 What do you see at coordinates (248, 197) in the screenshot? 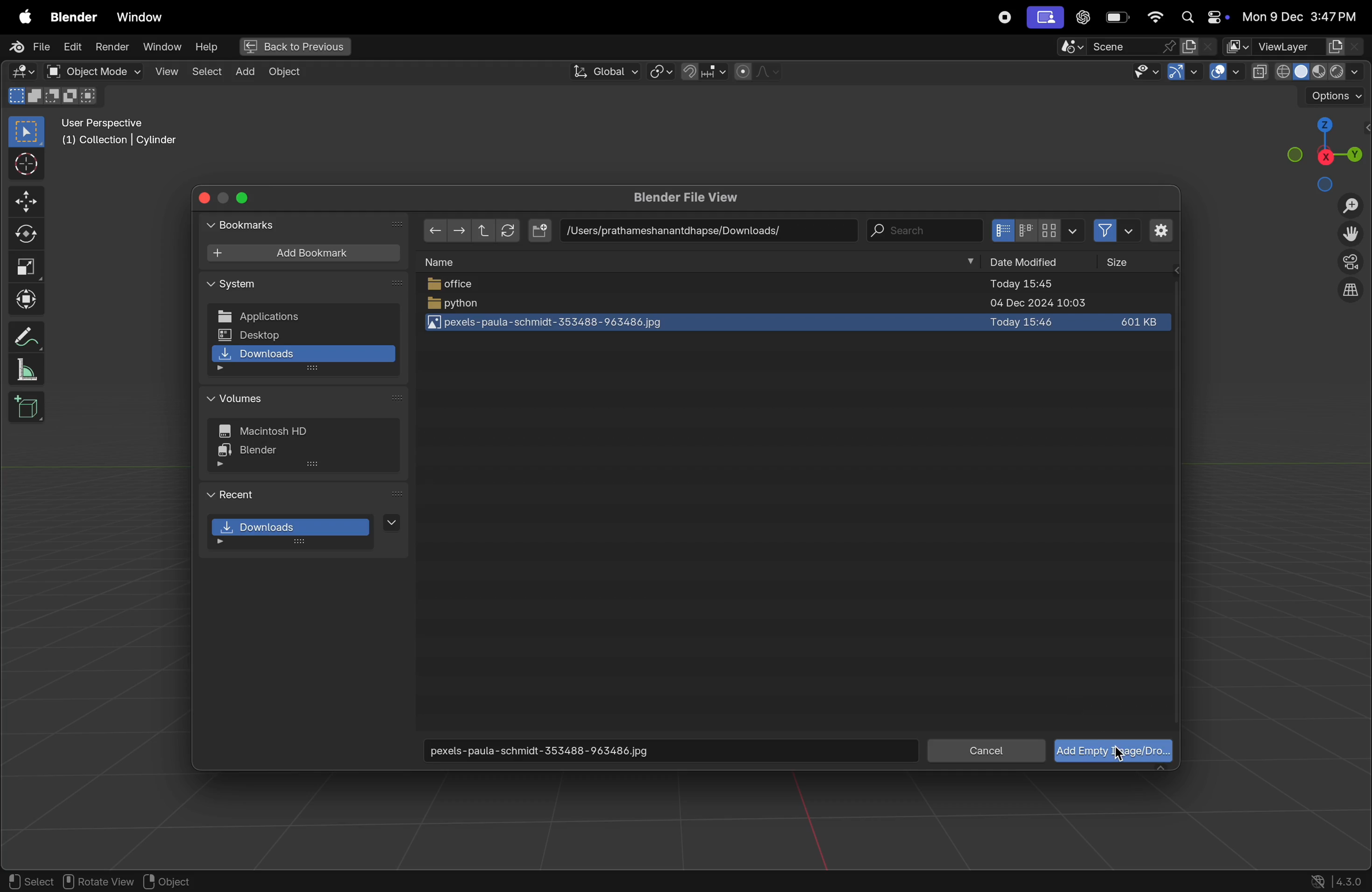
I see `close` at bounding box center [248, 197].